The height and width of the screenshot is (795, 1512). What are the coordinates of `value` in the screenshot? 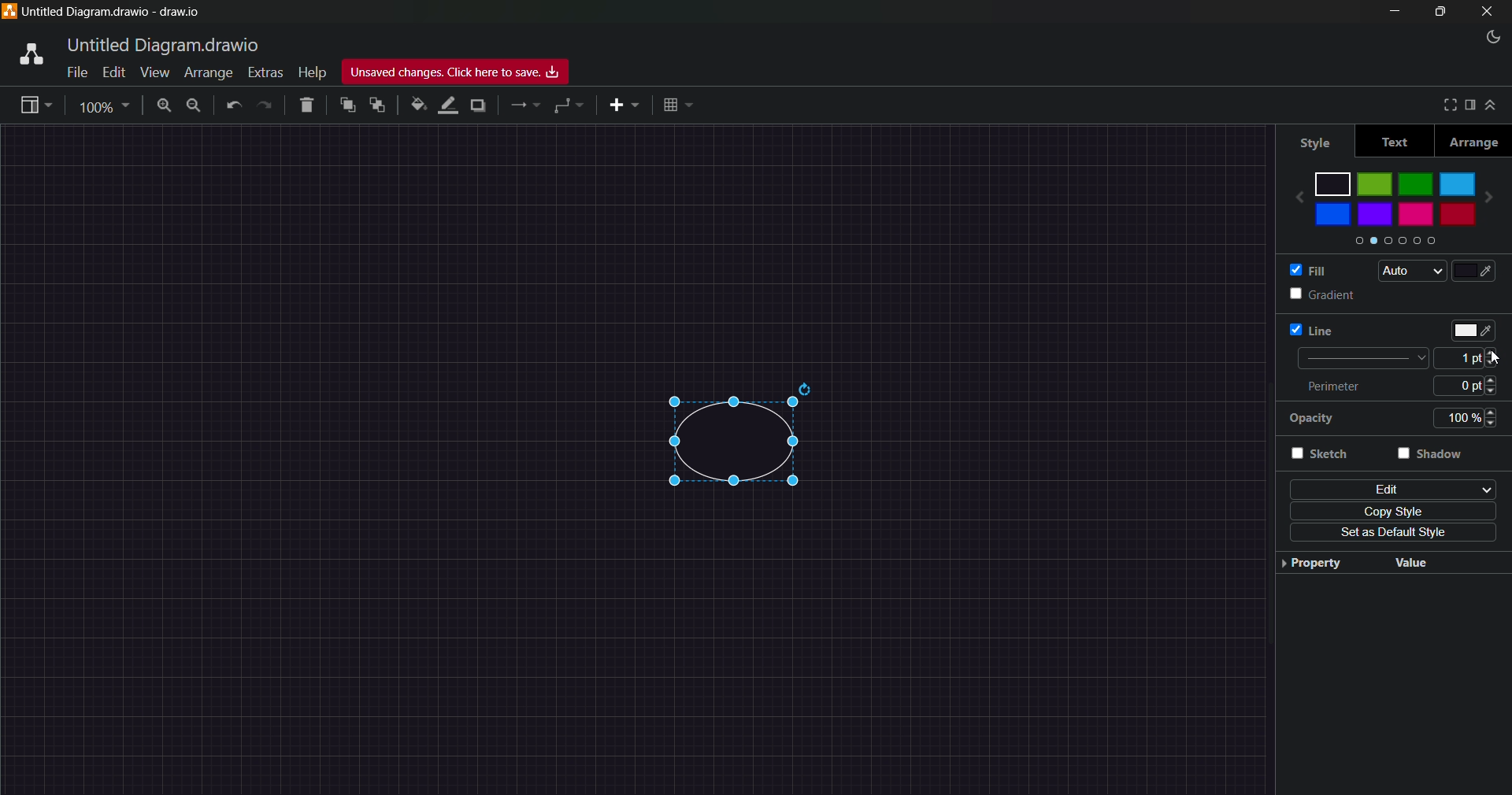 It's located at (1450, 561).